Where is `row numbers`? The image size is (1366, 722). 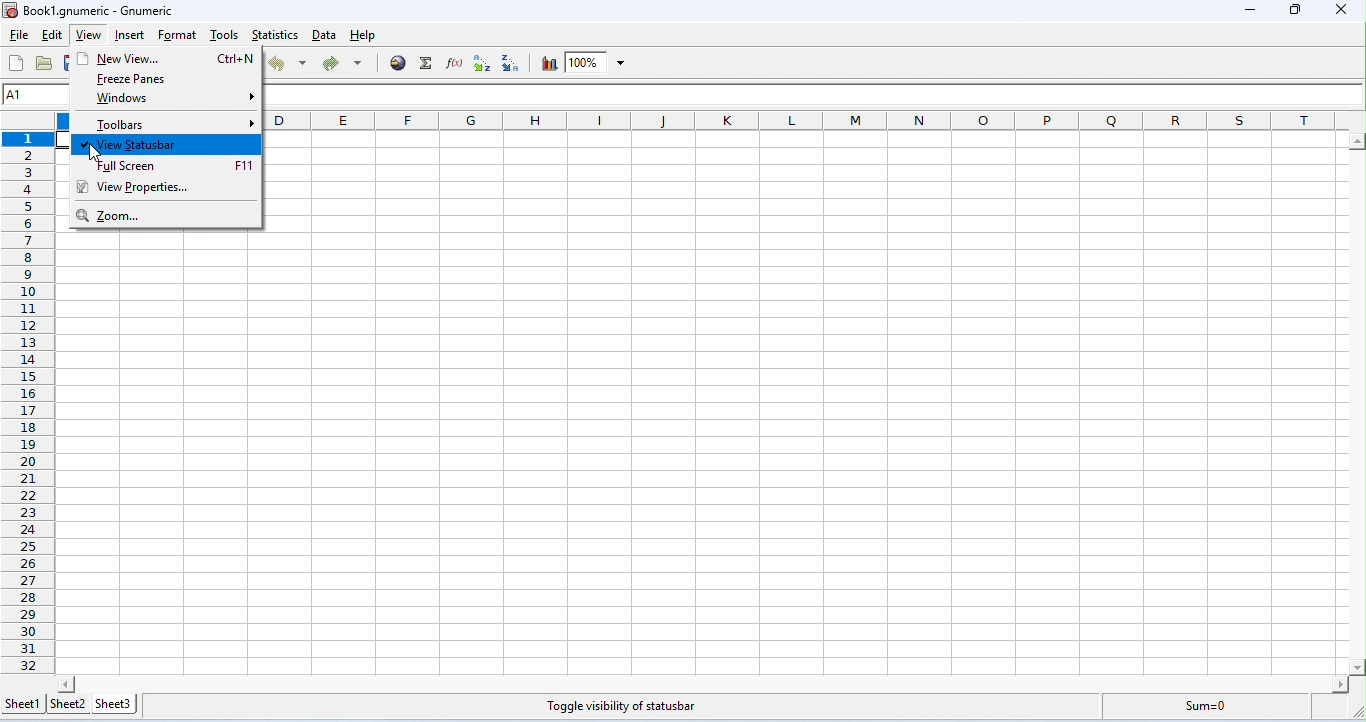
row numbers is located at coordinates (27, 402).